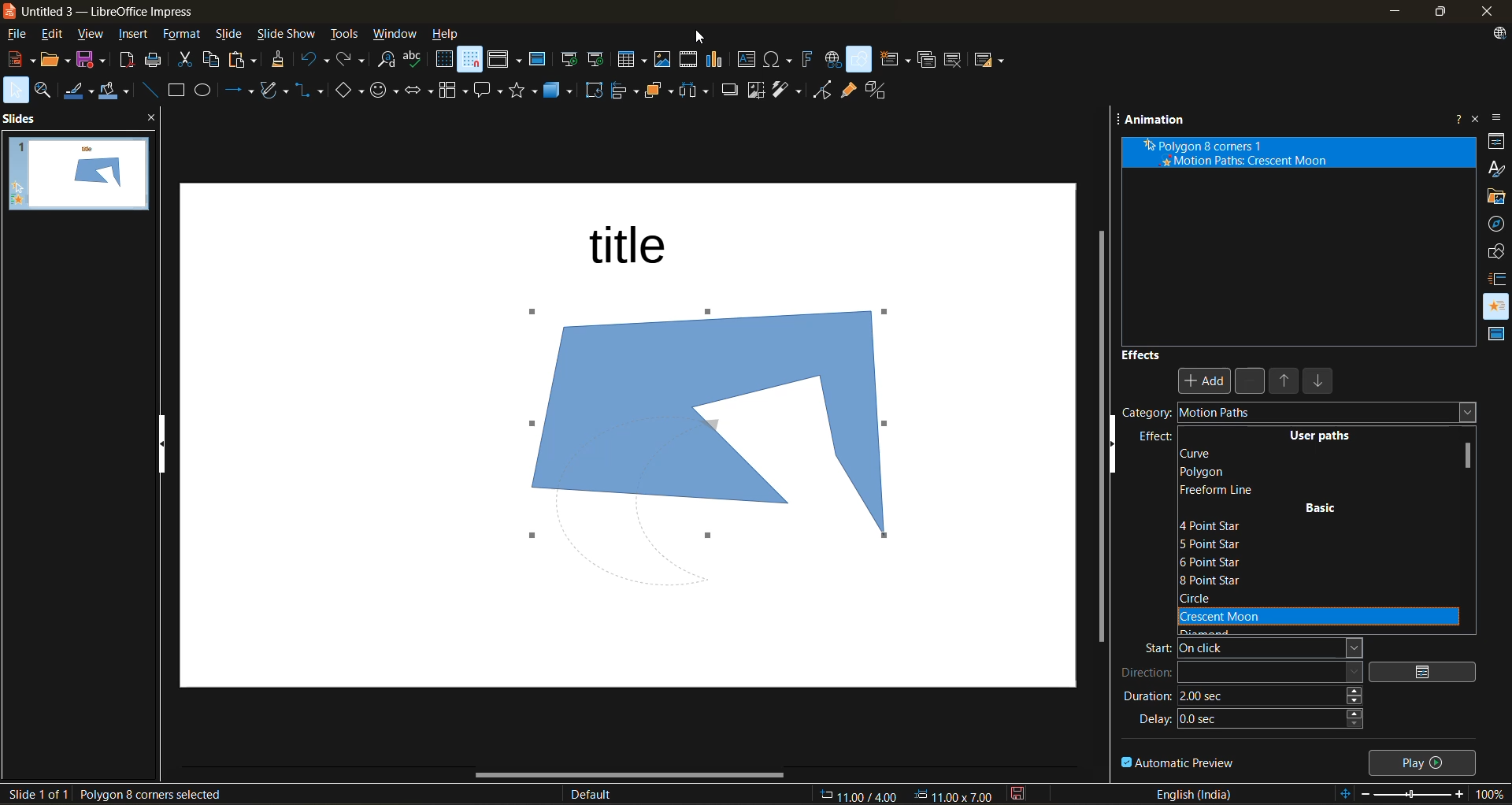 Image resolution: width=1512 pixels, height=805 pixels. What do you see at coordinates (19, 59) in the screenshot?
I see `new` at bounding box center [19, 59].